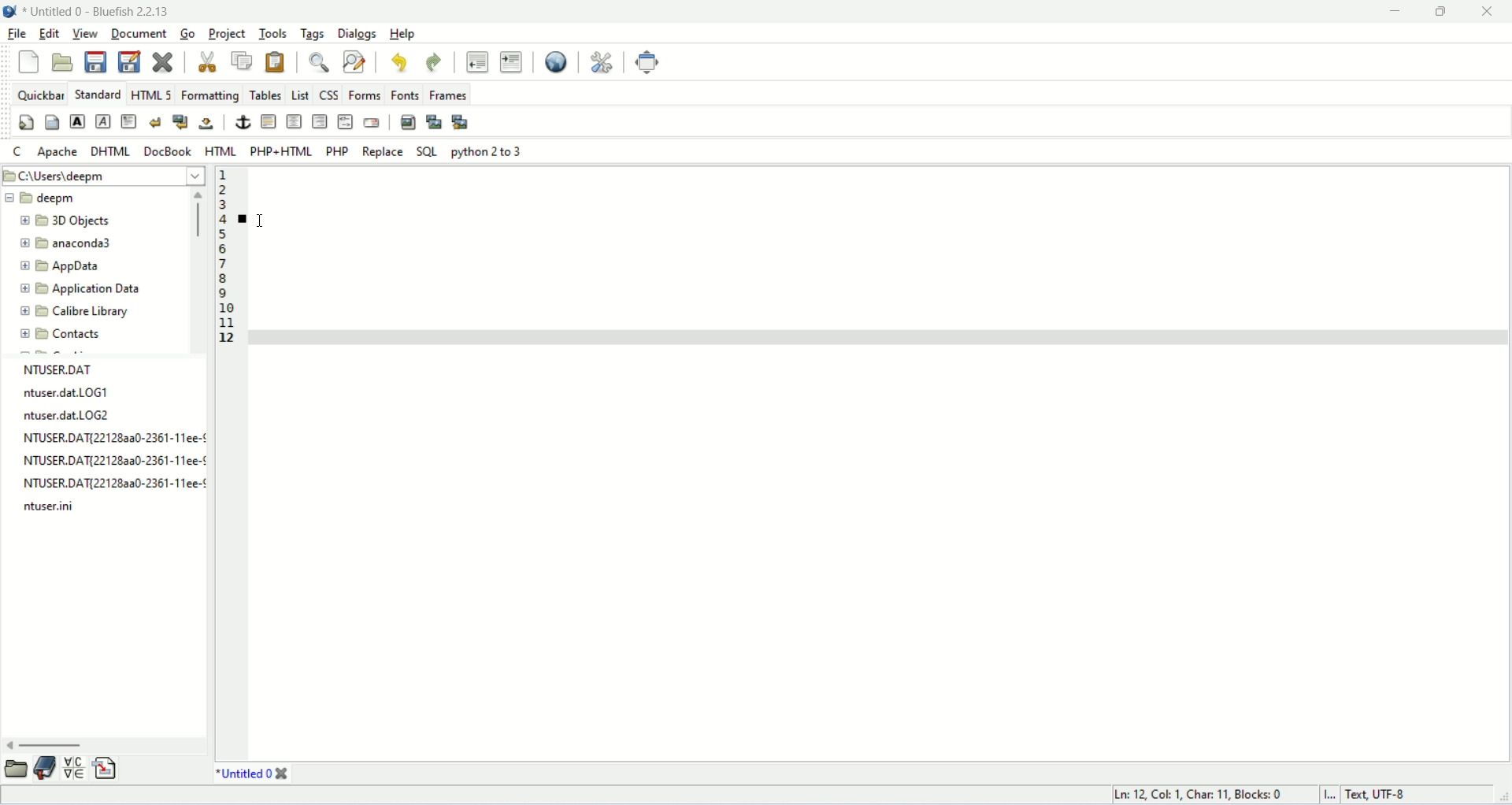 This screenshot has height=805, width=1512. Describe the element at coordinates (74, 311) in the screenshot. I see `calibre library` at that location.